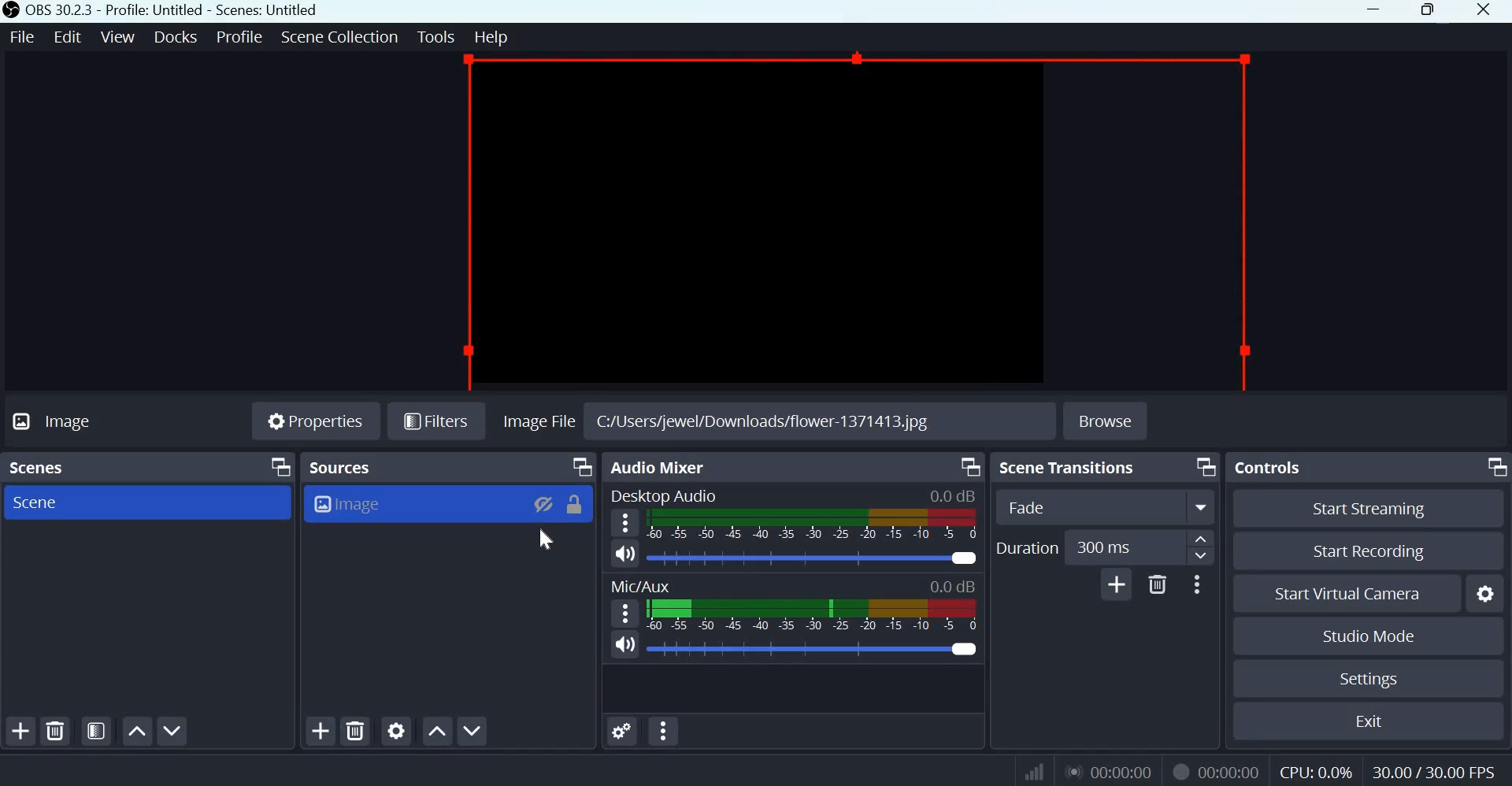  Describe the element at coordinates (639, 586) in the screenshot. I see `Mic/Aux` at that location.